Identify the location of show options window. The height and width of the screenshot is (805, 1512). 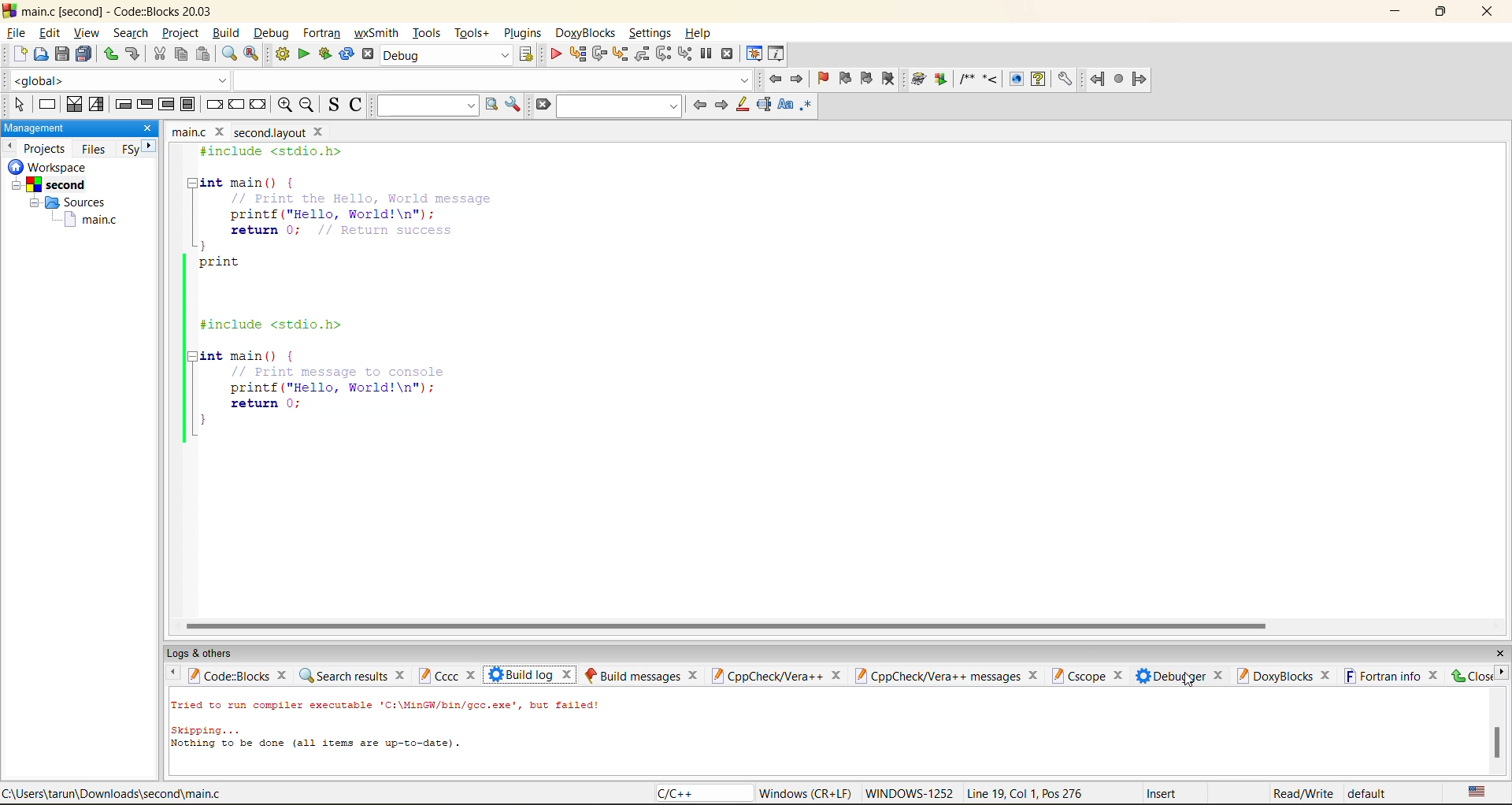
(515, 106).